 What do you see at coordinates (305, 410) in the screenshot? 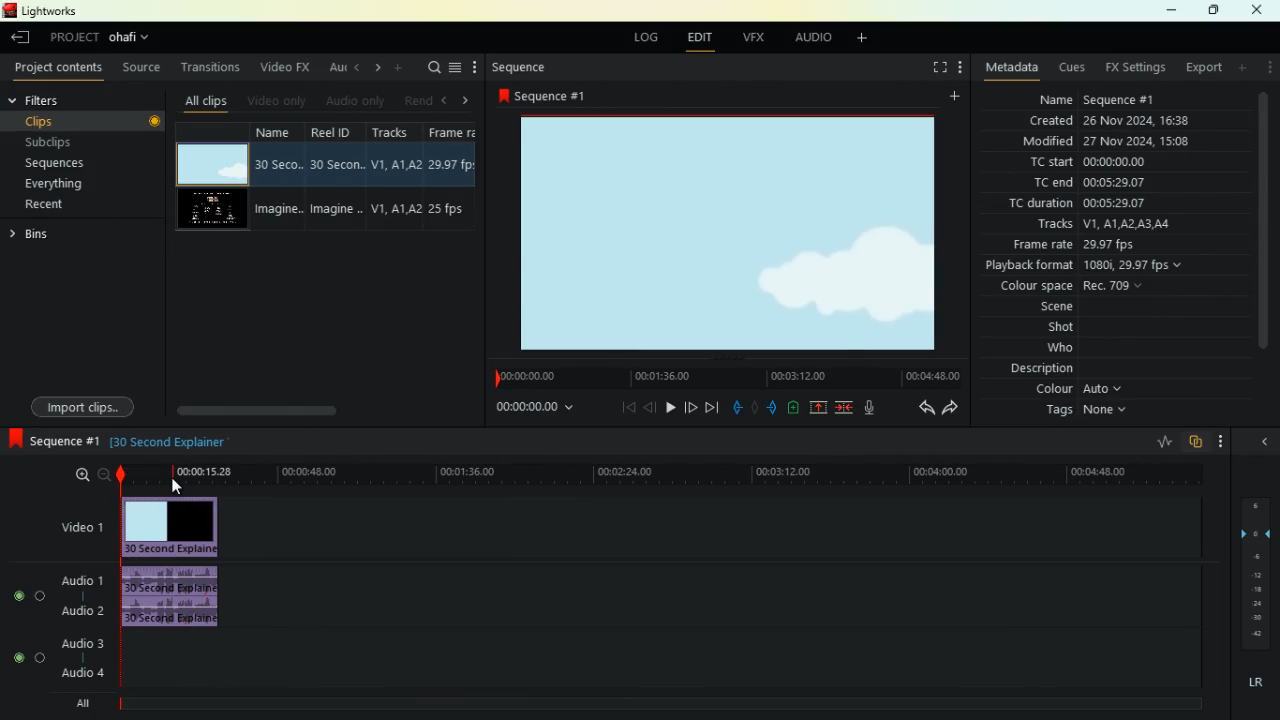
I see `scroll` at bounding box center [305, 410].